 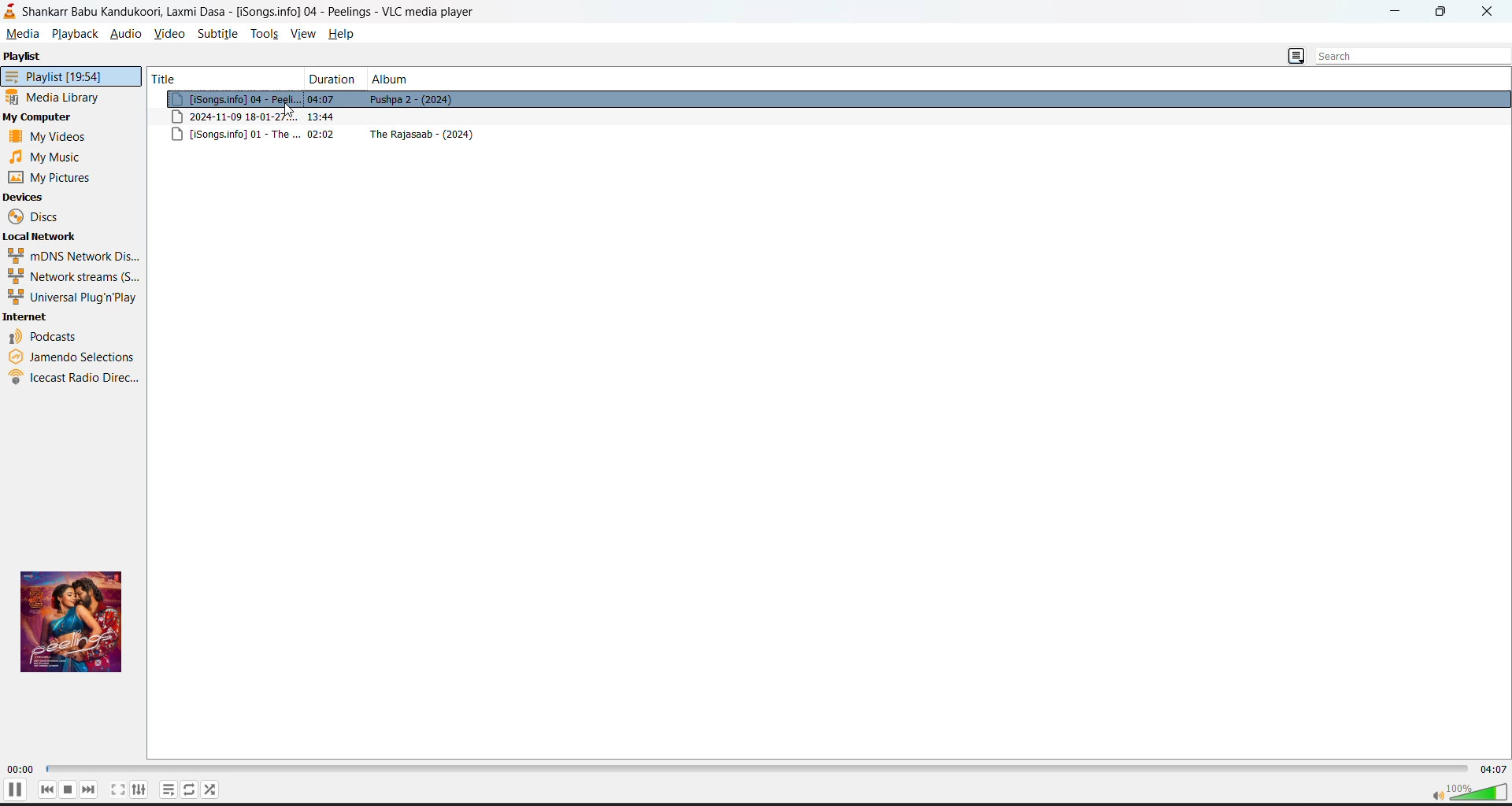 What do you see at coordinates (1488, 13) in the screenshot?
I see `close` at bounding box center [1488, 13].